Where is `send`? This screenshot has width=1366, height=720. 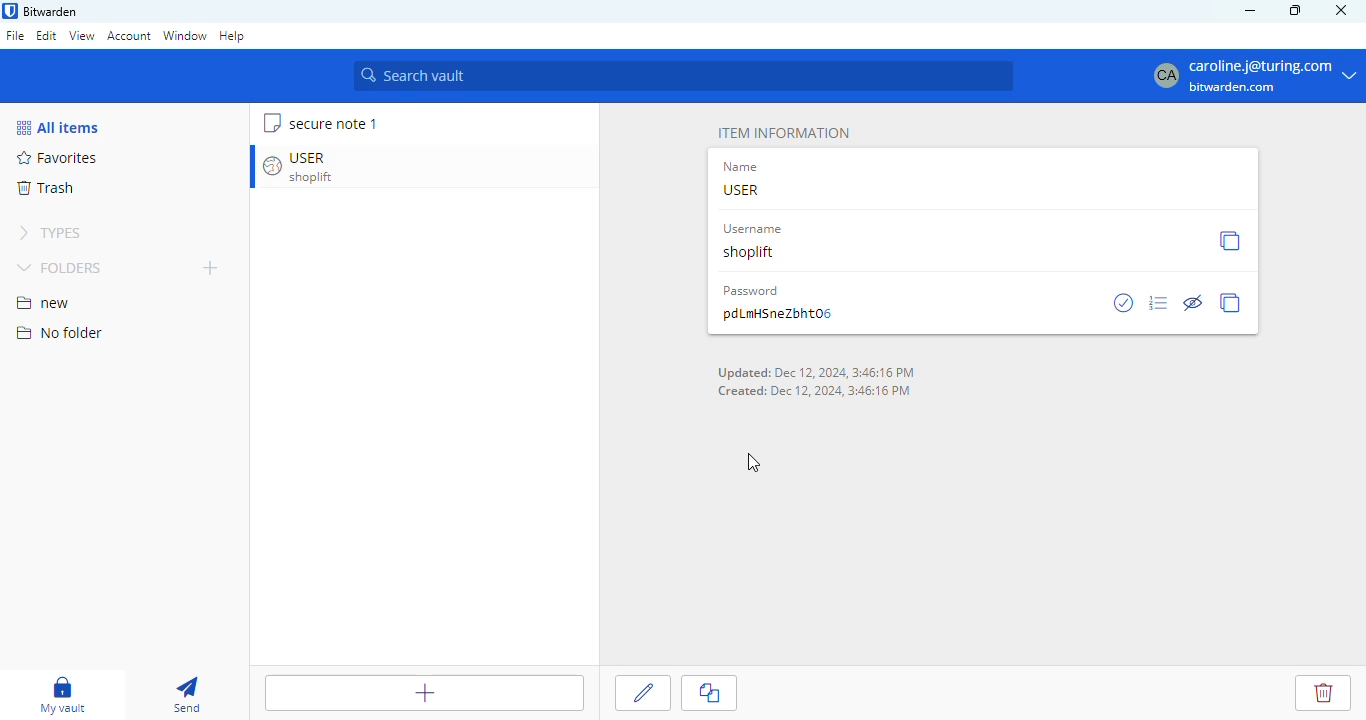 send is located at coordinates (188, 696).